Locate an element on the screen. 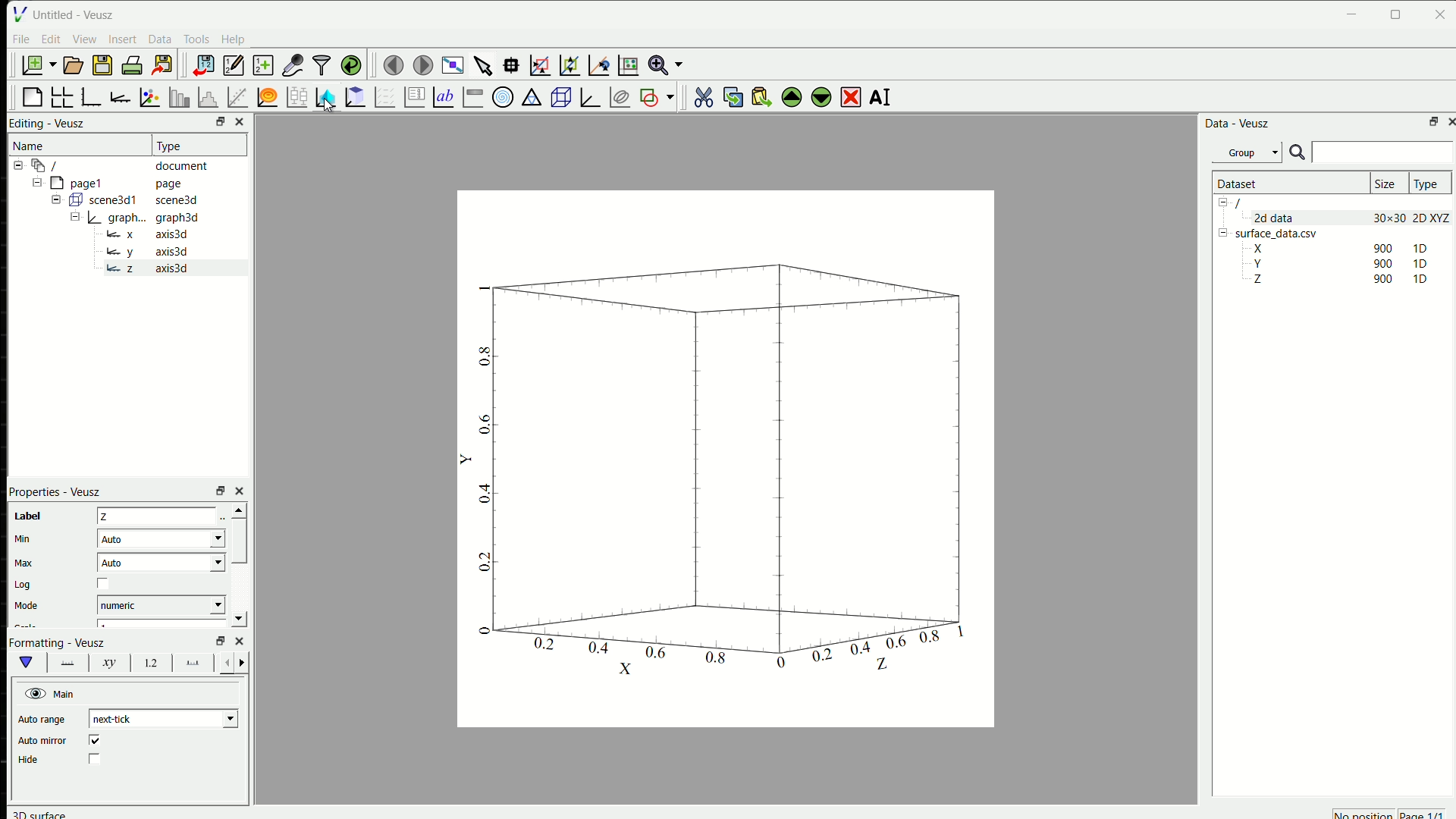  graph3d is located at coordinates (180, 219).